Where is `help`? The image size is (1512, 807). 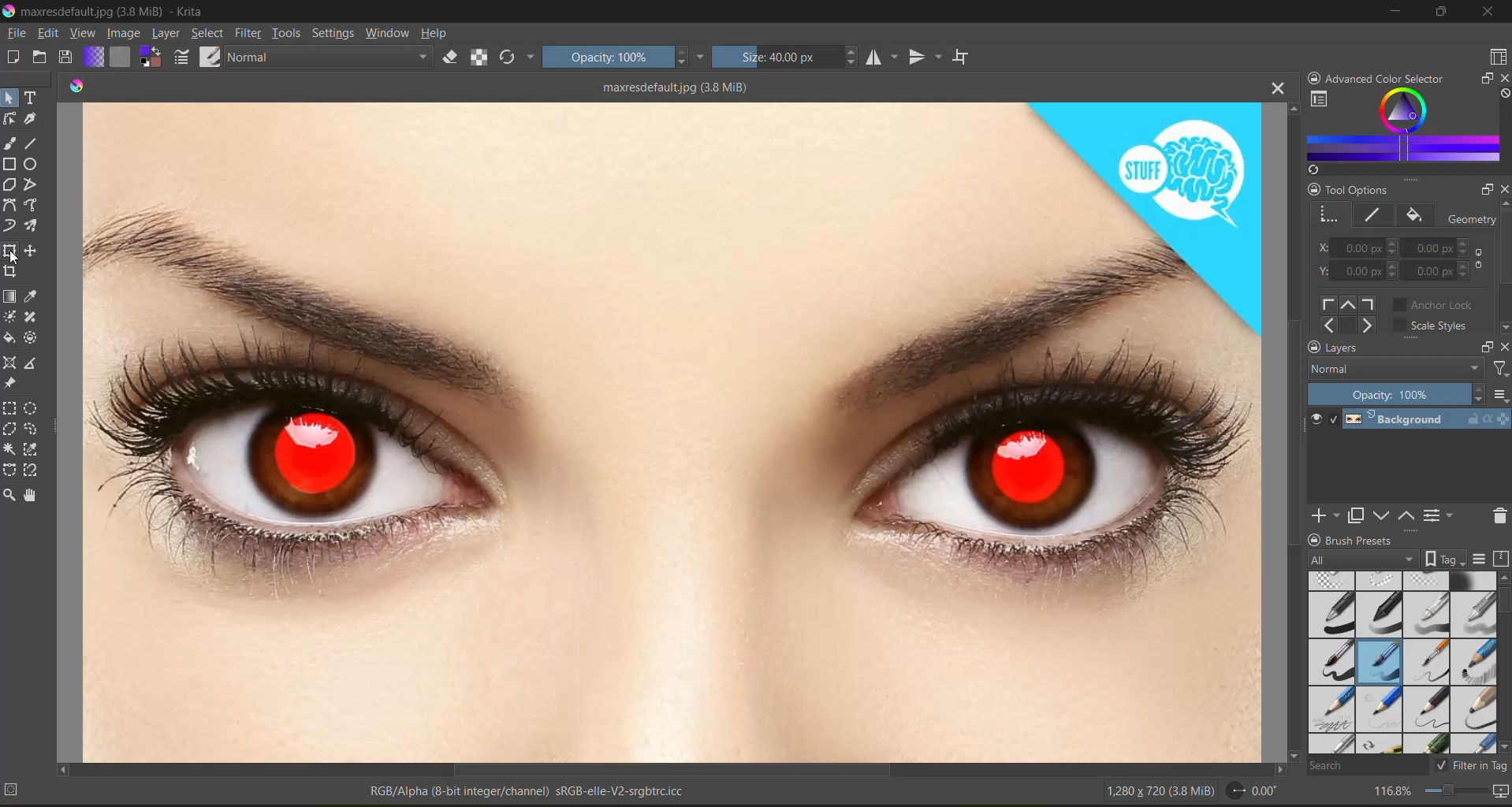 help is located at coordinates (438, 33).